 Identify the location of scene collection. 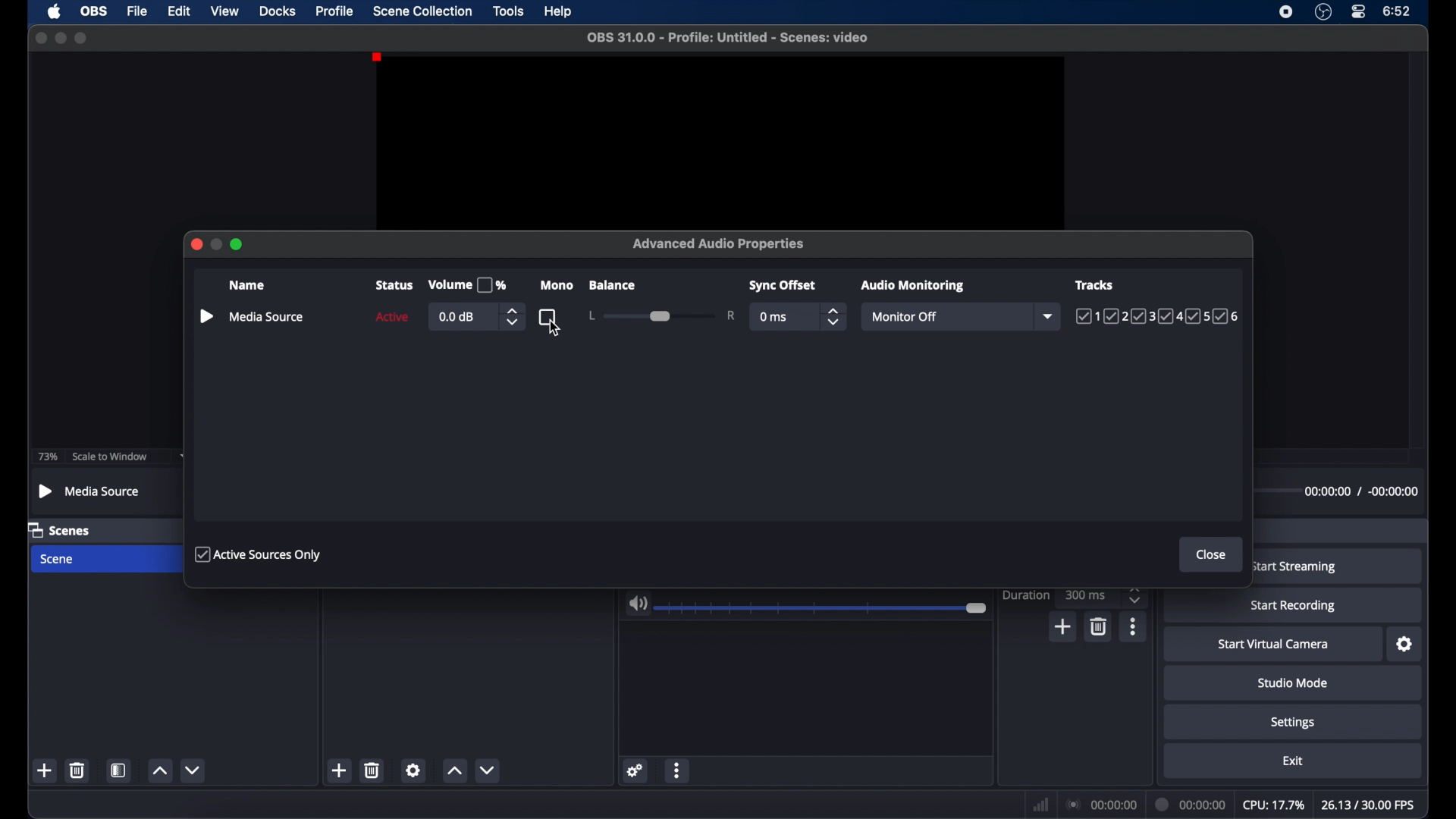
(422, 11).